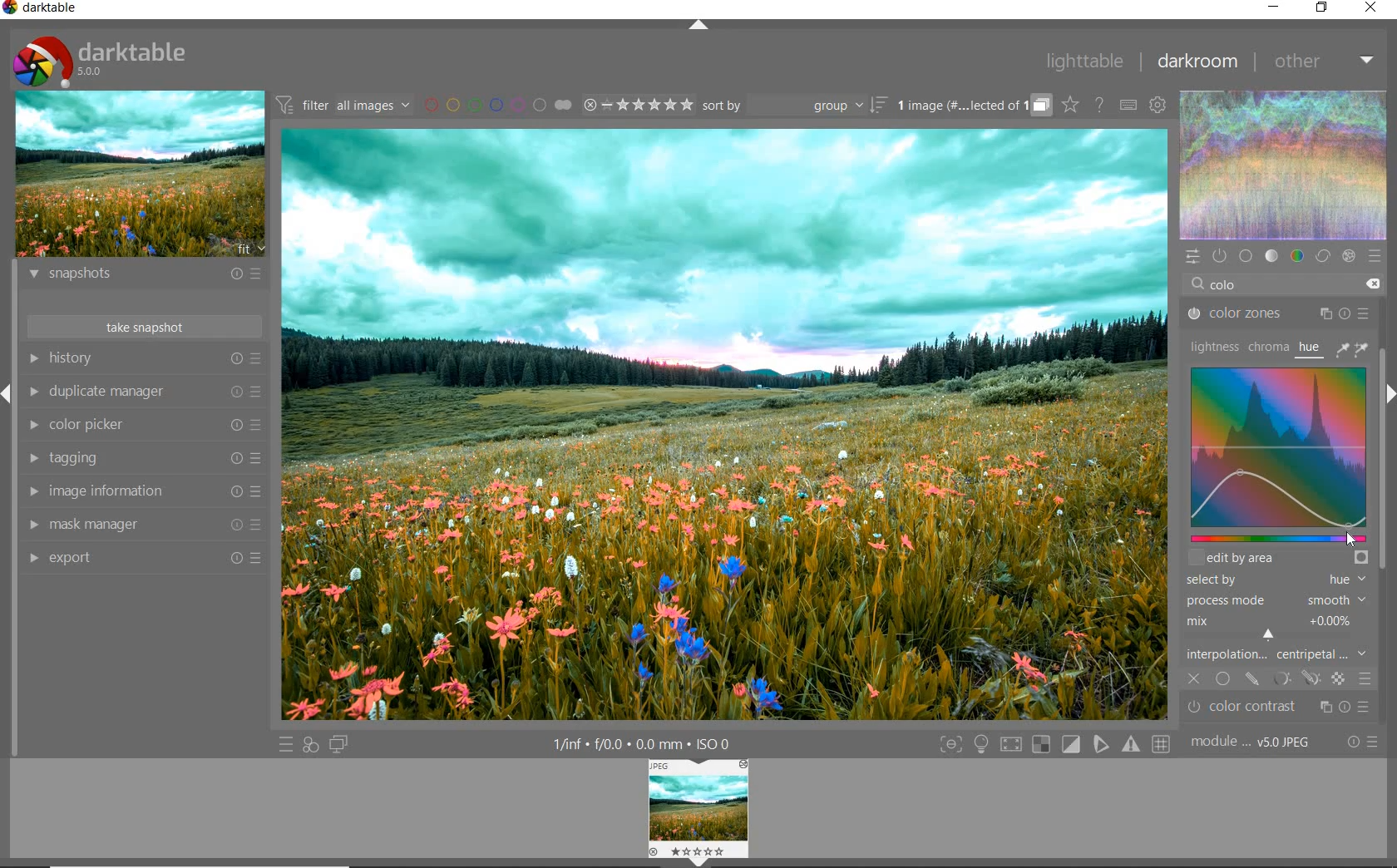  I want to click on waveform, so click(1285, 165).